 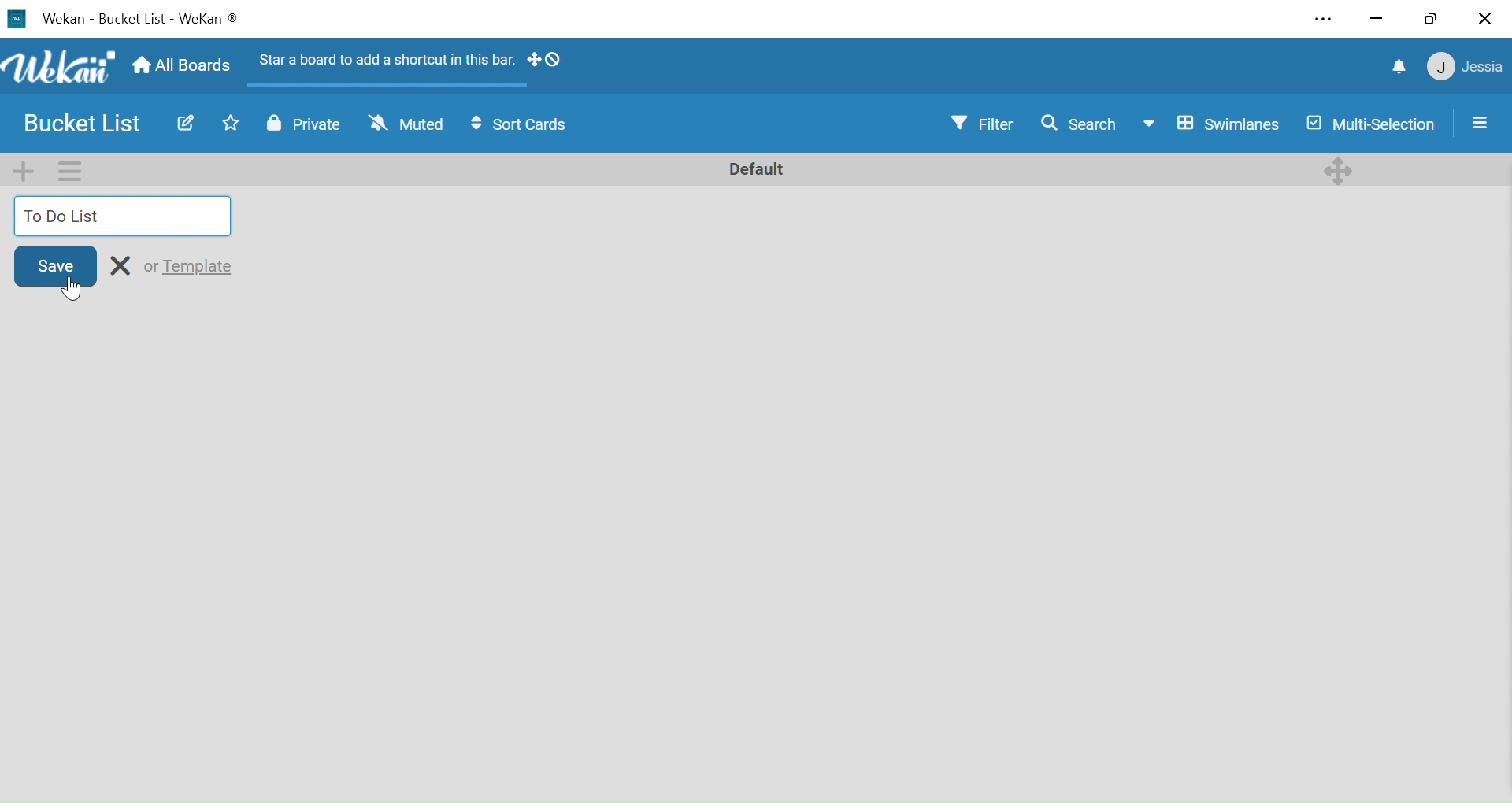 I want to click on Toggle handle on/off, so click(x=545, y=62).